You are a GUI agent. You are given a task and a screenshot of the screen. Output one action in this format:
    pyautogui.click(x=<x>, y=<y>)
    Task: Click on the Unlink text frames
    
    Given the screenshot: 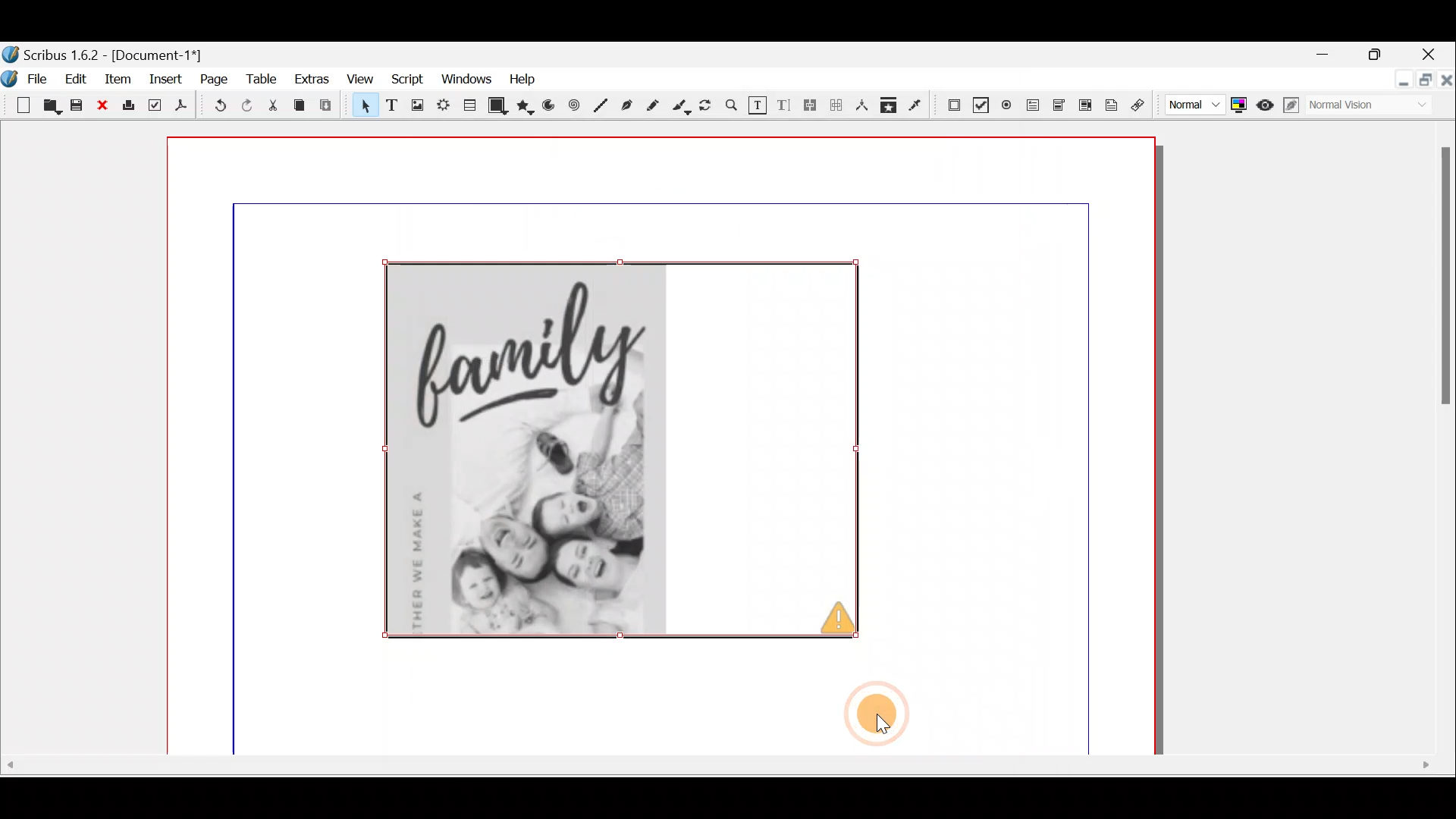 What is the action you would take?
    pyautogui.click(x=838, y=103)
    